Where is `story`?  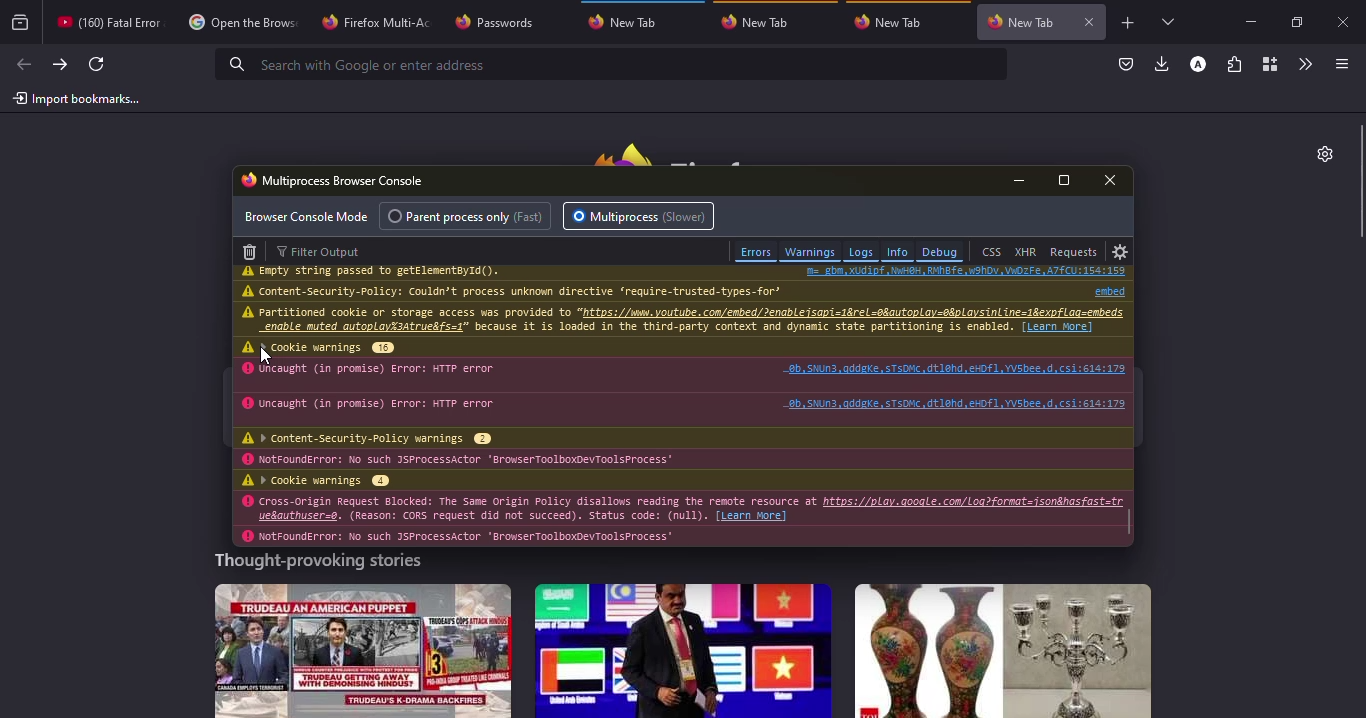 story is located at coordinates (363, 650).